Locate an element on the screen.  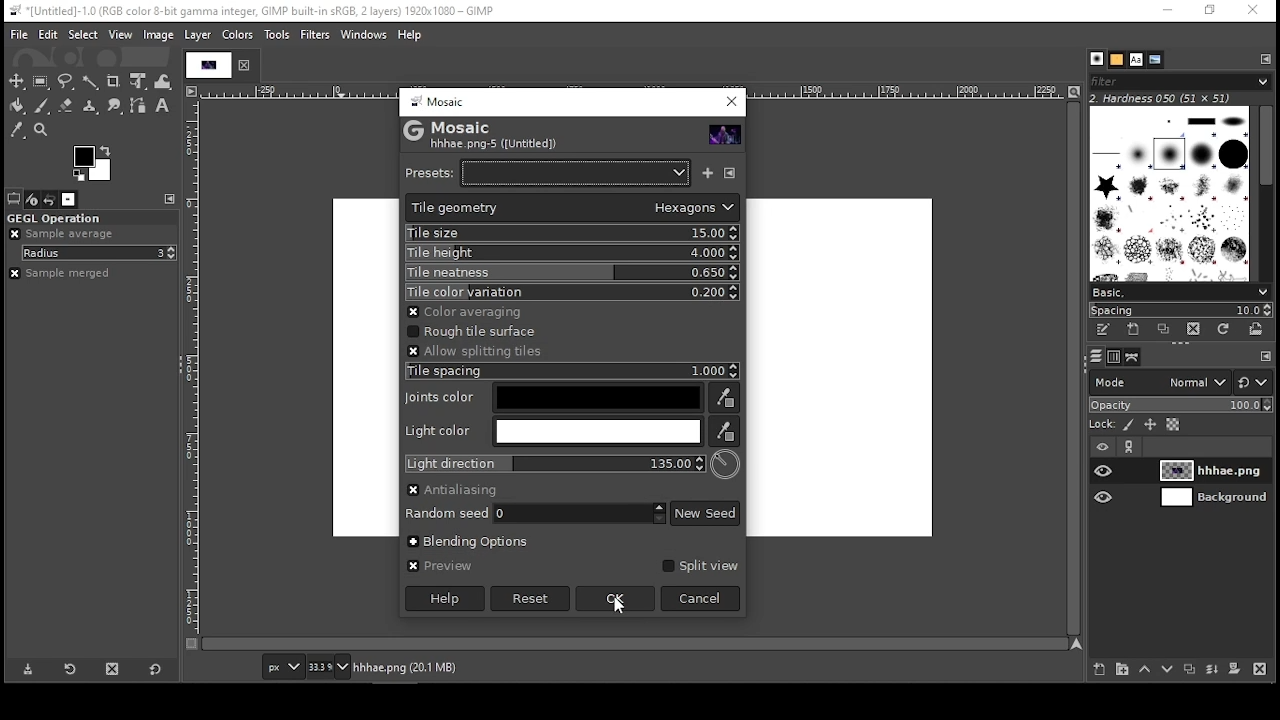
joints color is located at coordinates (554, 398).